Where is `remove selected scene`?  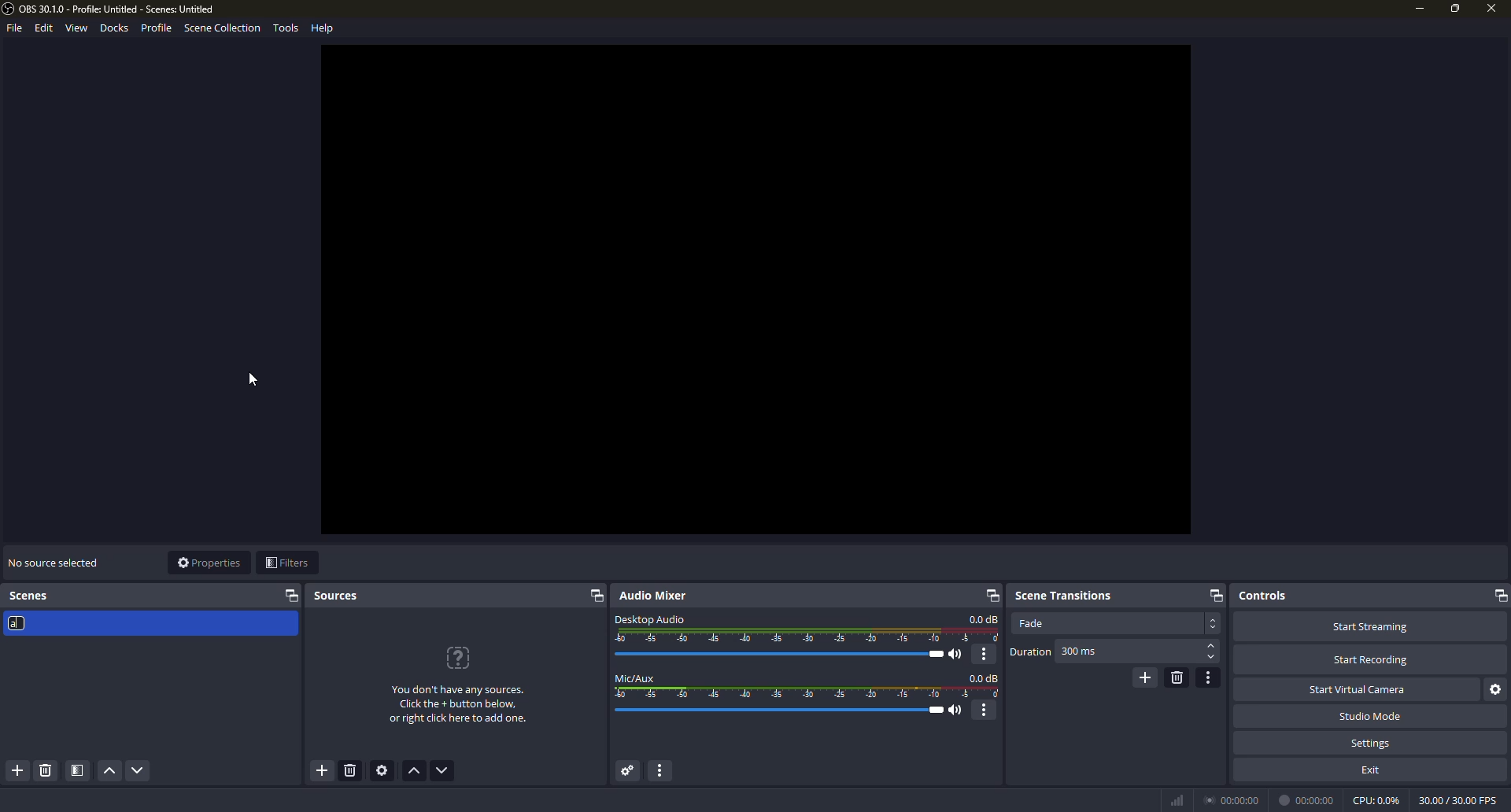 remove selected scene is located at coordinates (45, 771).